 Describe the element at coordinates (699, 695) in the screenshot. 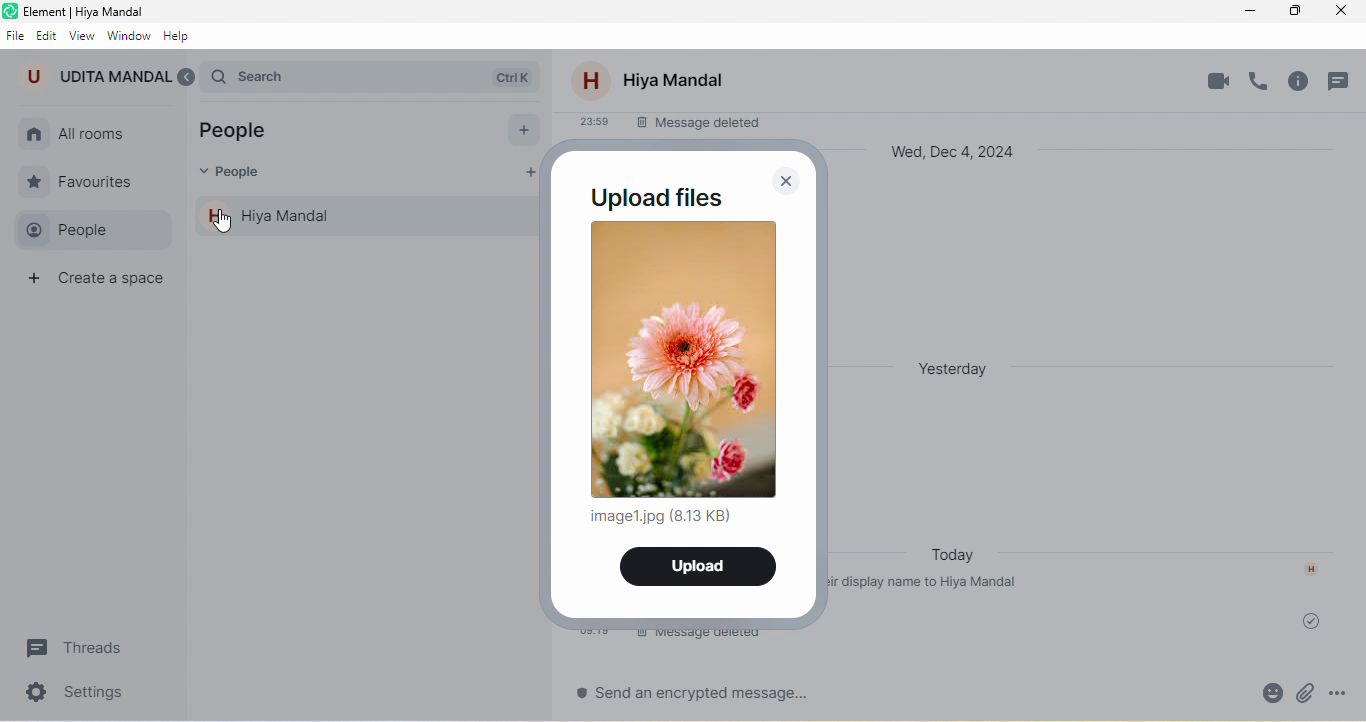

I see `send an encrypted message` at that location.